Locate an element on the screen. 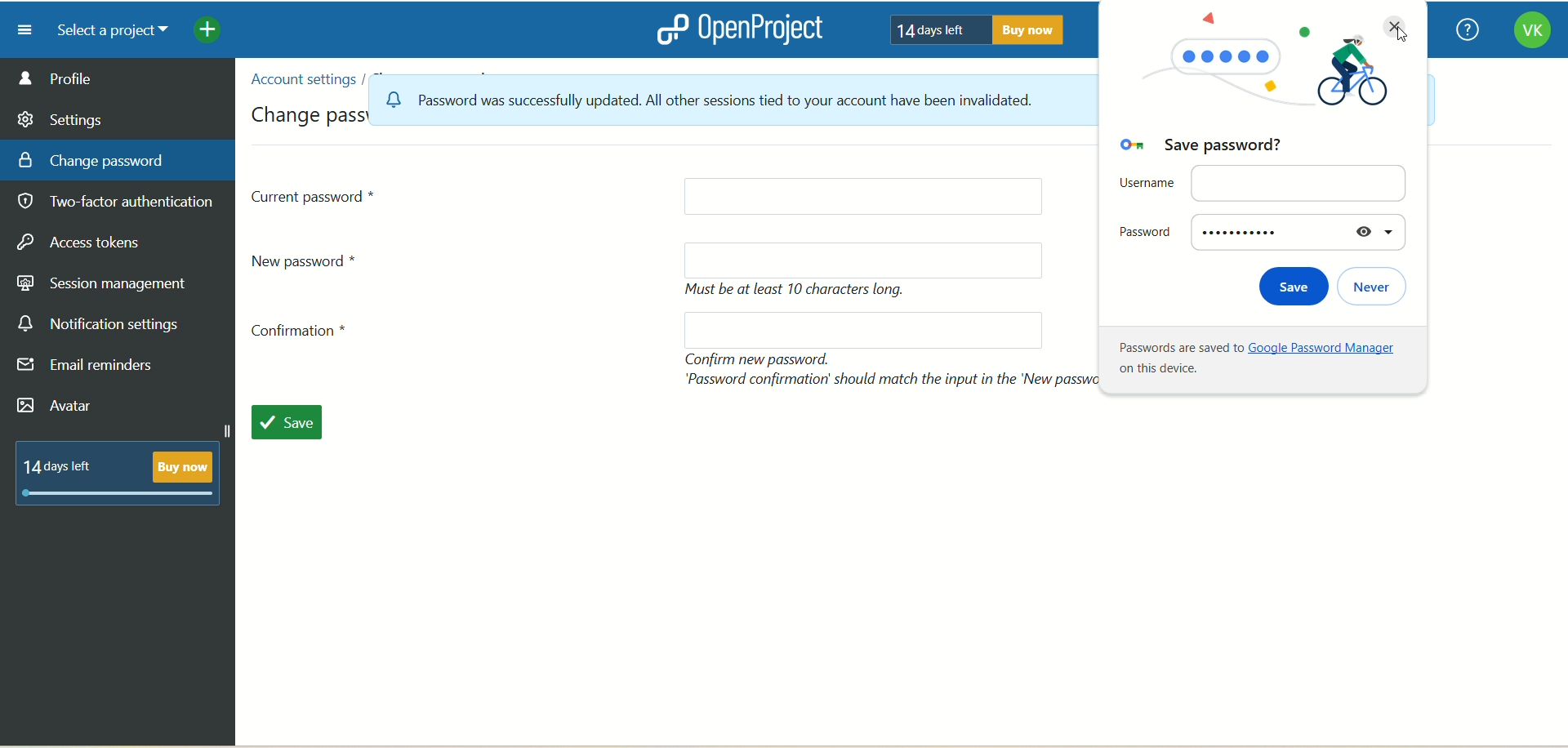 The height and width of the screenshot is (748, 1568). close is located at coordinates (1394, 27).